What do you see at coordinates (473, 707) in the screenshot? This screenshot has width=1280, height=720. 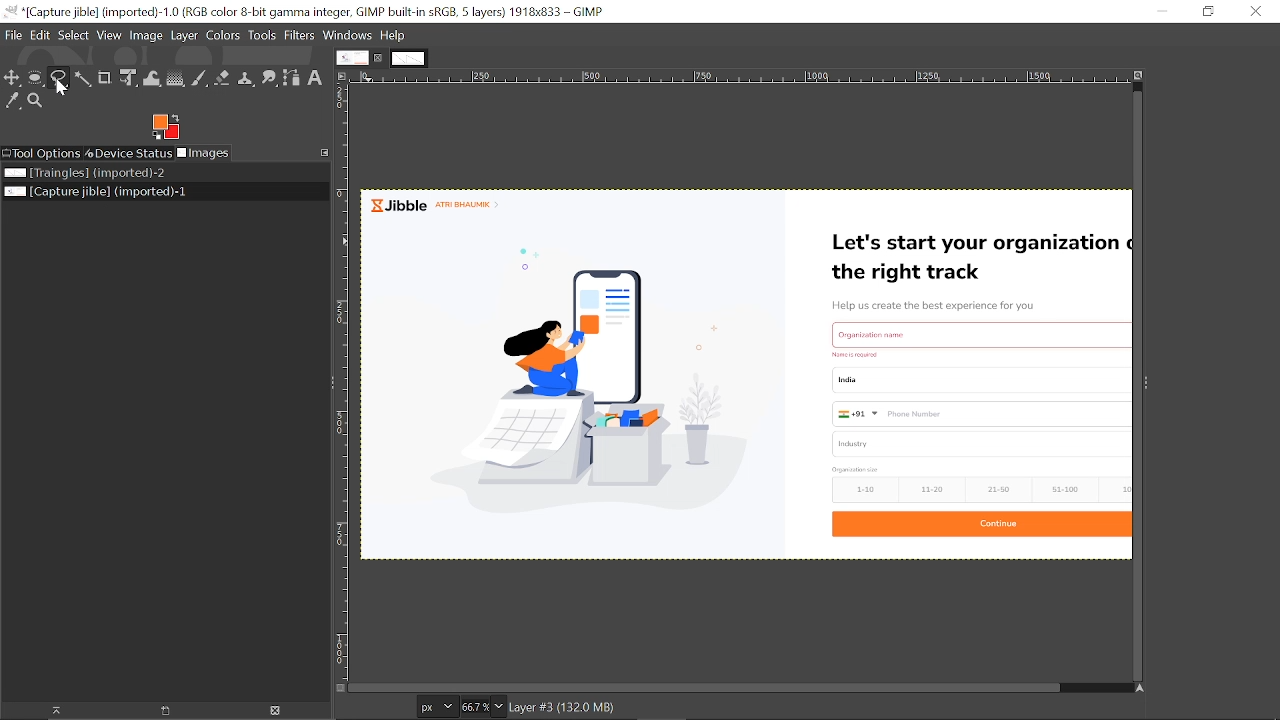 I see `Current zoom` at bounding box center [473, 707].